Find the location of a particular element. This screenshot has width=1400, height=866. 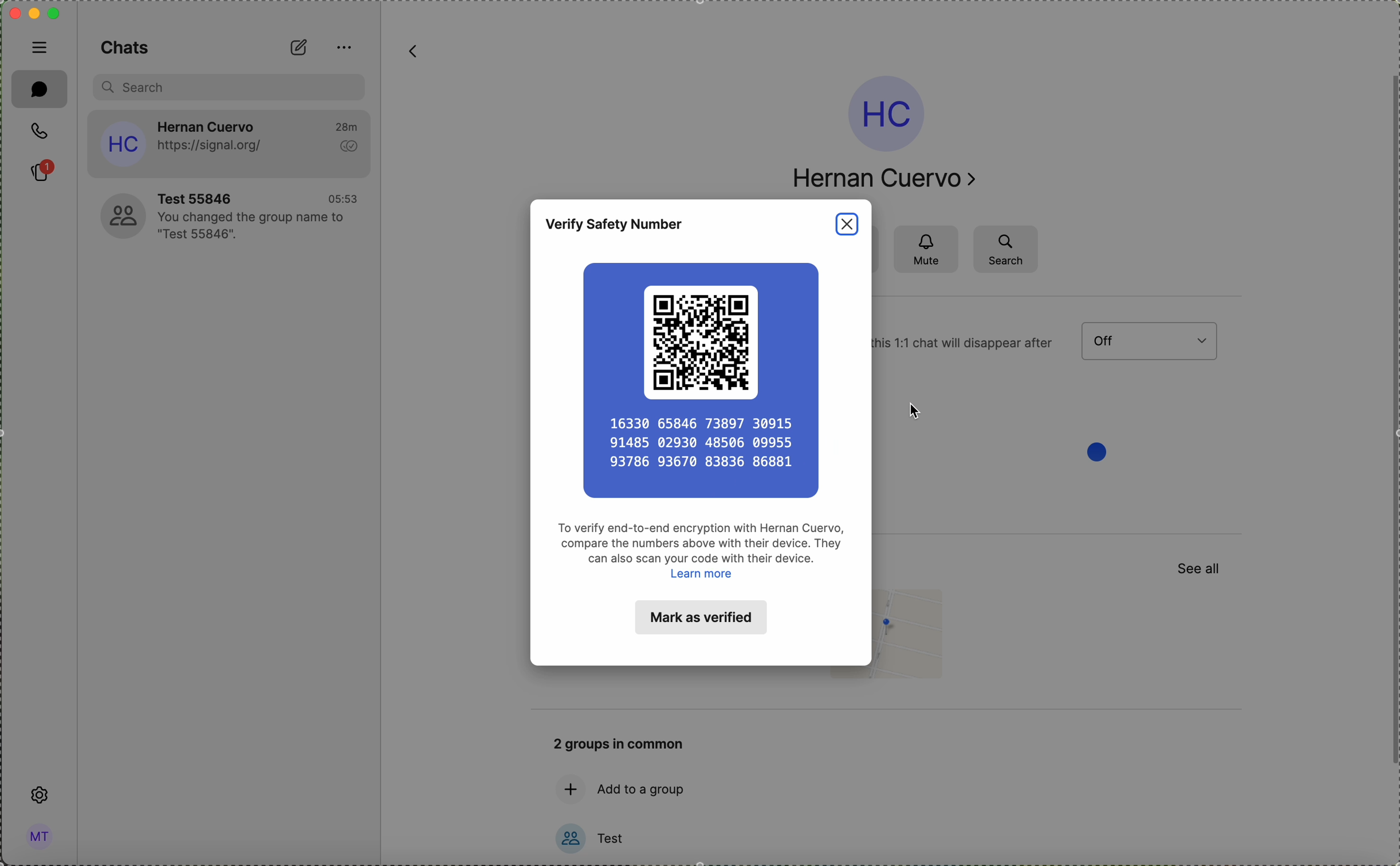

settings is located at coordinates (38, 795).